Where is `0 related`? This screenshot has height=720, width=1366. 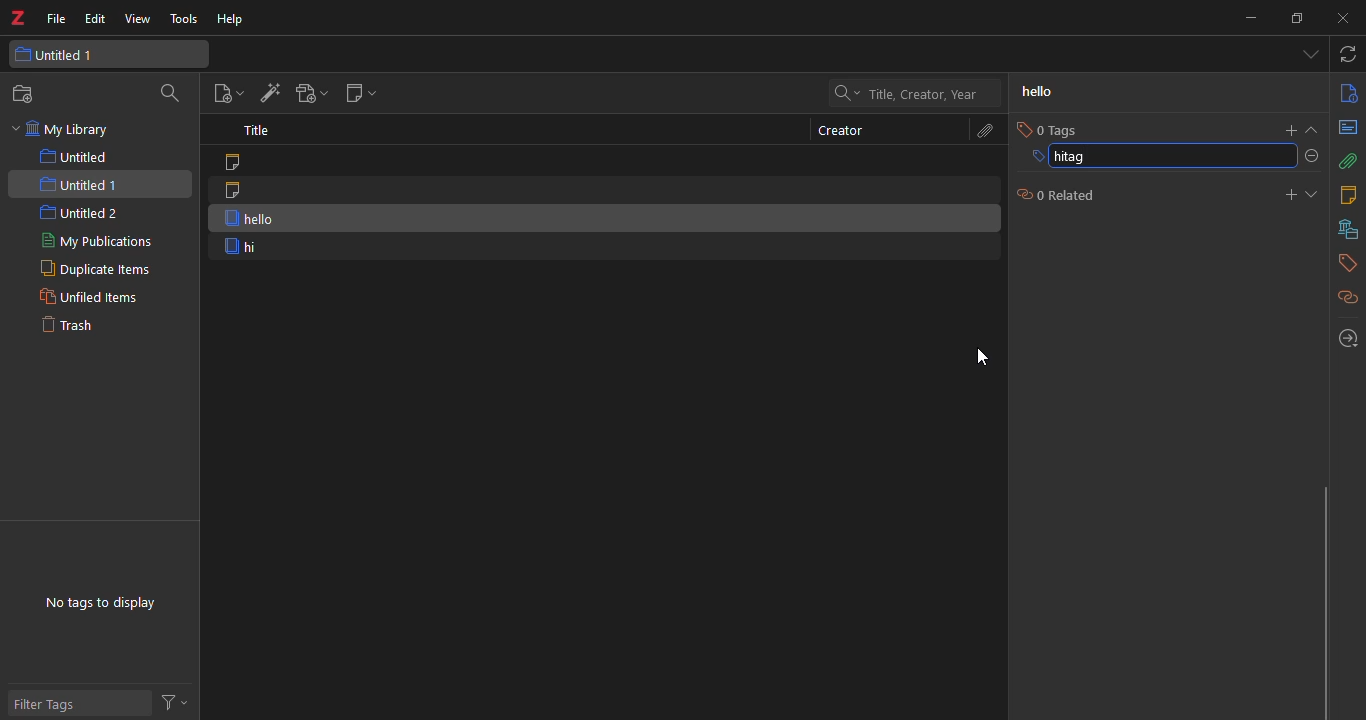 0 related is located at coordinates (1052, 197).